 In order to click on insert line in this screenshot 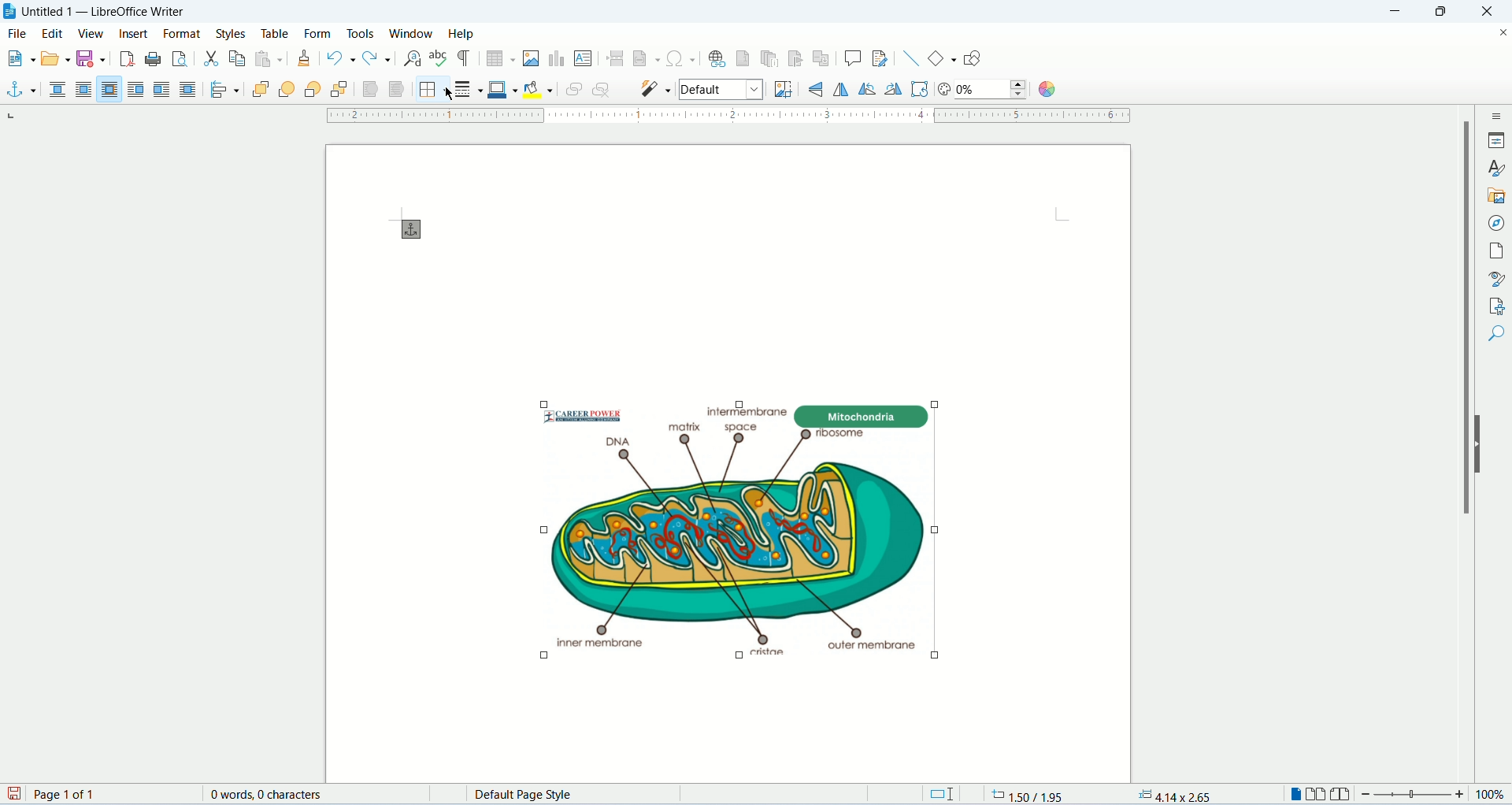, I will do `click(911, 58)`.